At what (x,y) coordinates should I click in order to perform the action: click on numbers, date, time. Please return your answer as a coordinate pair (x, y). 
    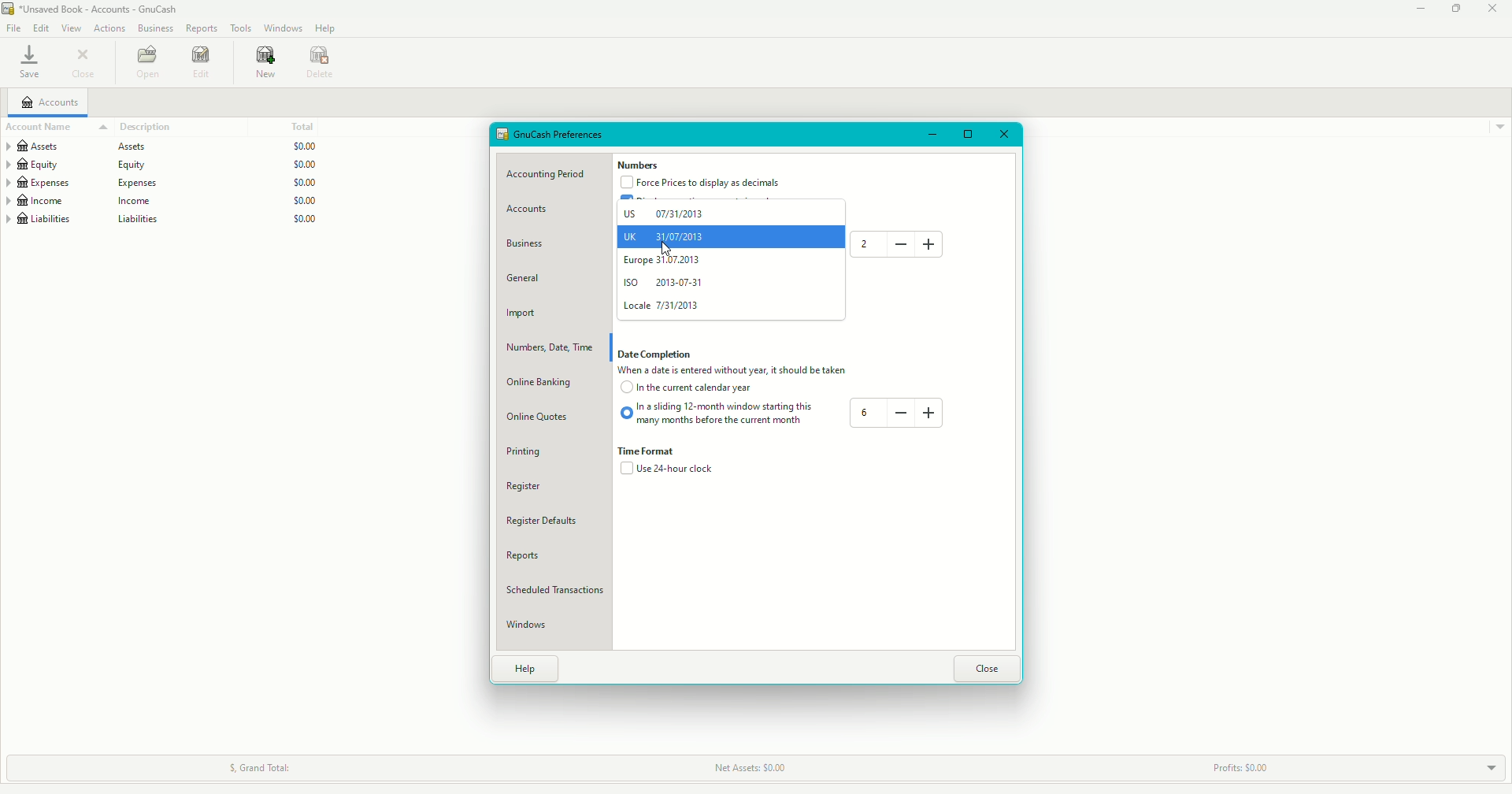
    Looking at the image, I should click on (551, 347).